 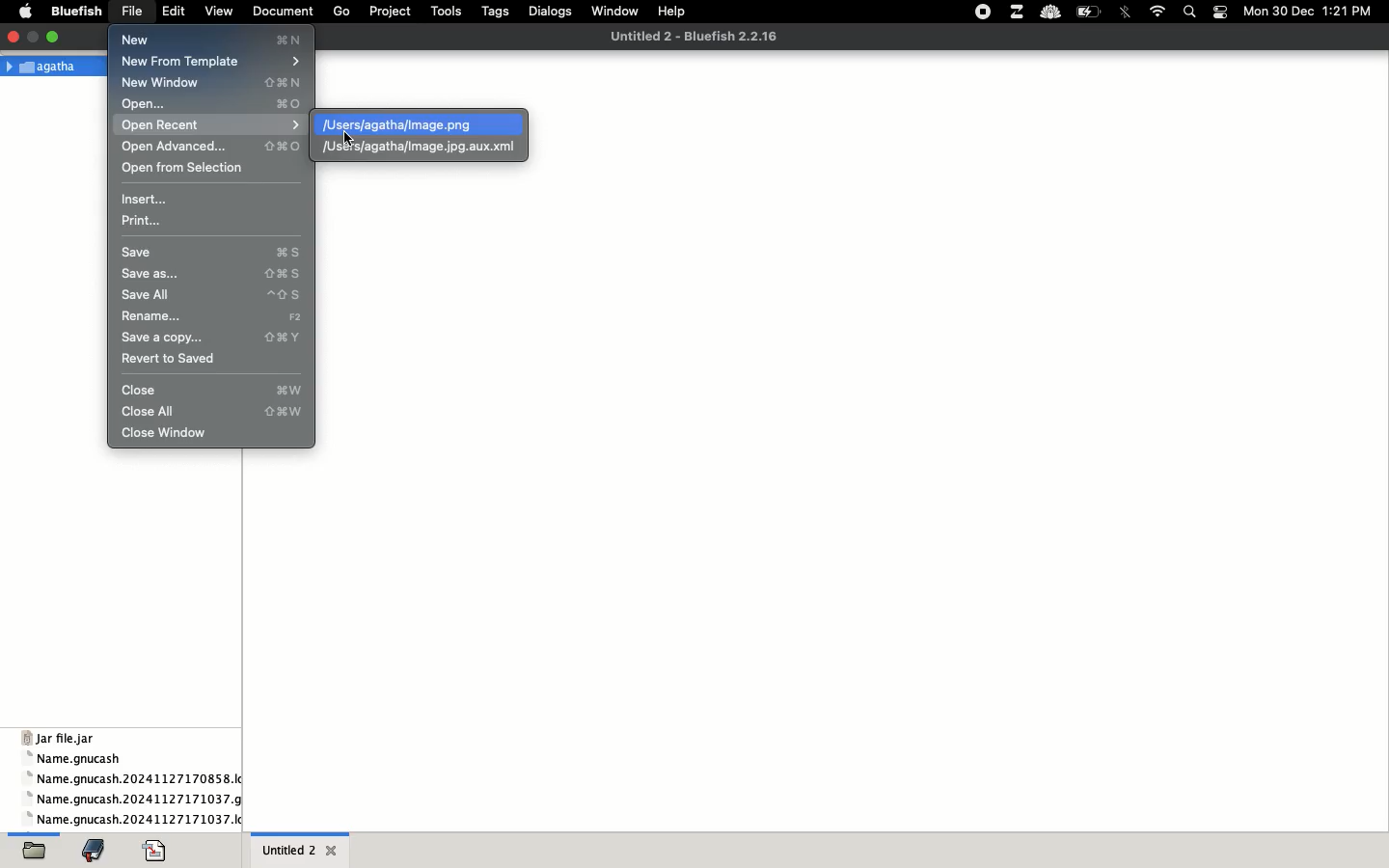 I want to click on window , so click(x=613, y=11).